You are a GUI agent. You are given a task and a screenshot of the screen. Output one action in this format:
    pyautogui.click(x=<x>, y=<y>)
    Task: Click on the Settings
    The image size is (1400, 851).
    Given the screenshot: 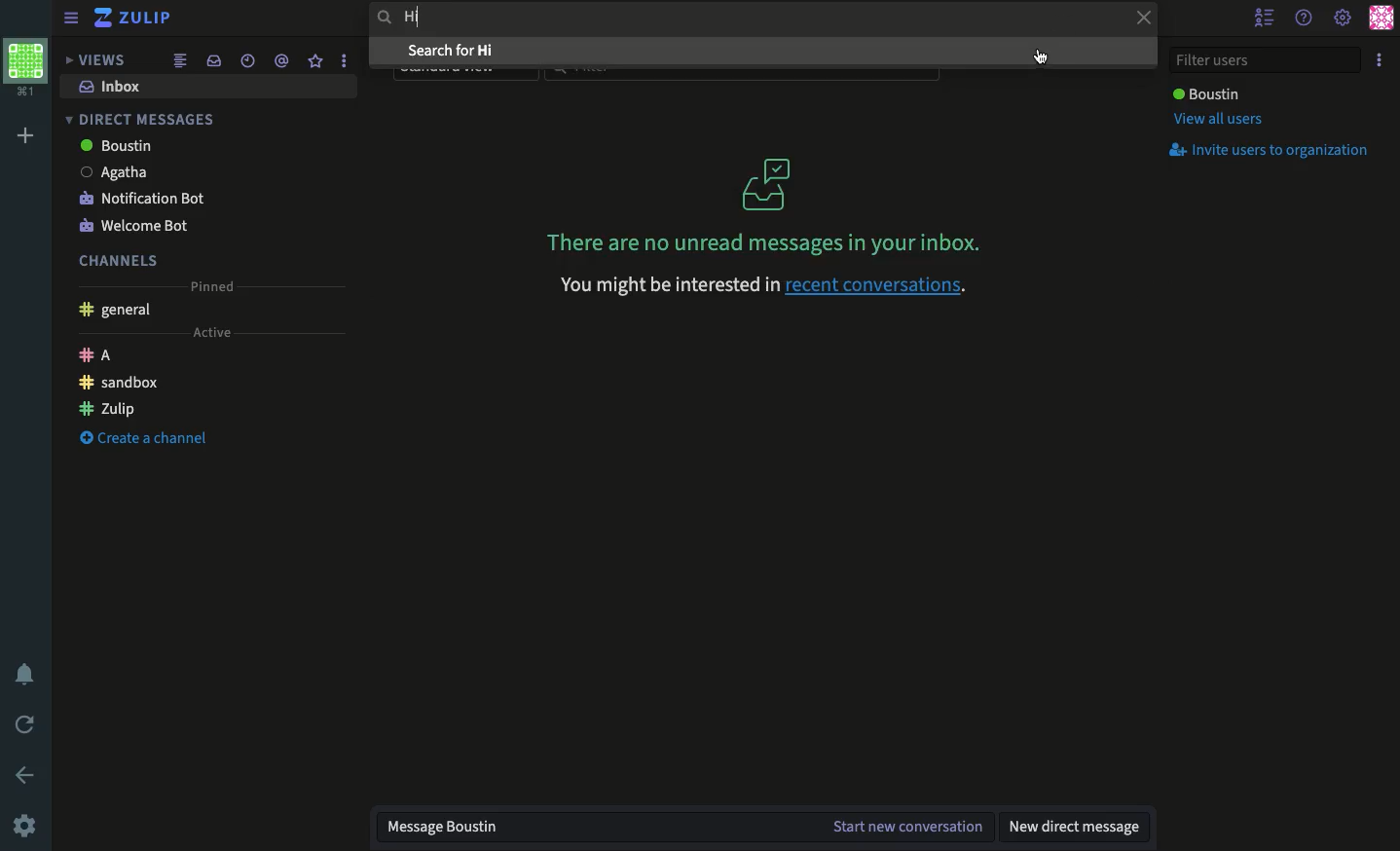 What is the action you would take?
    pyautogui.click(x=26, y=824)
    